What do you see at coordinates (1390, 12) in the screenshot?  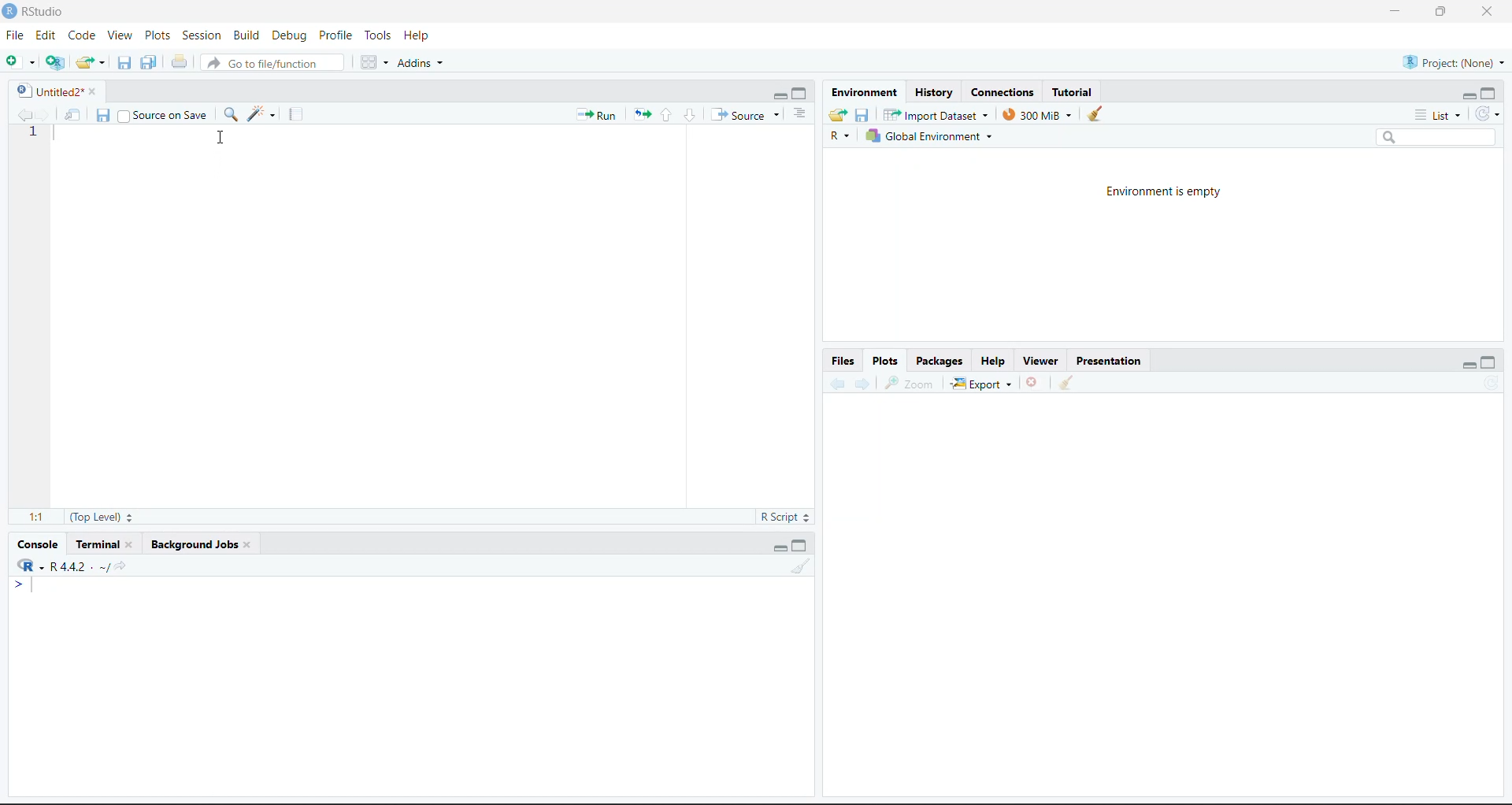 I see `minimize` at bounding box center [1390, 12].